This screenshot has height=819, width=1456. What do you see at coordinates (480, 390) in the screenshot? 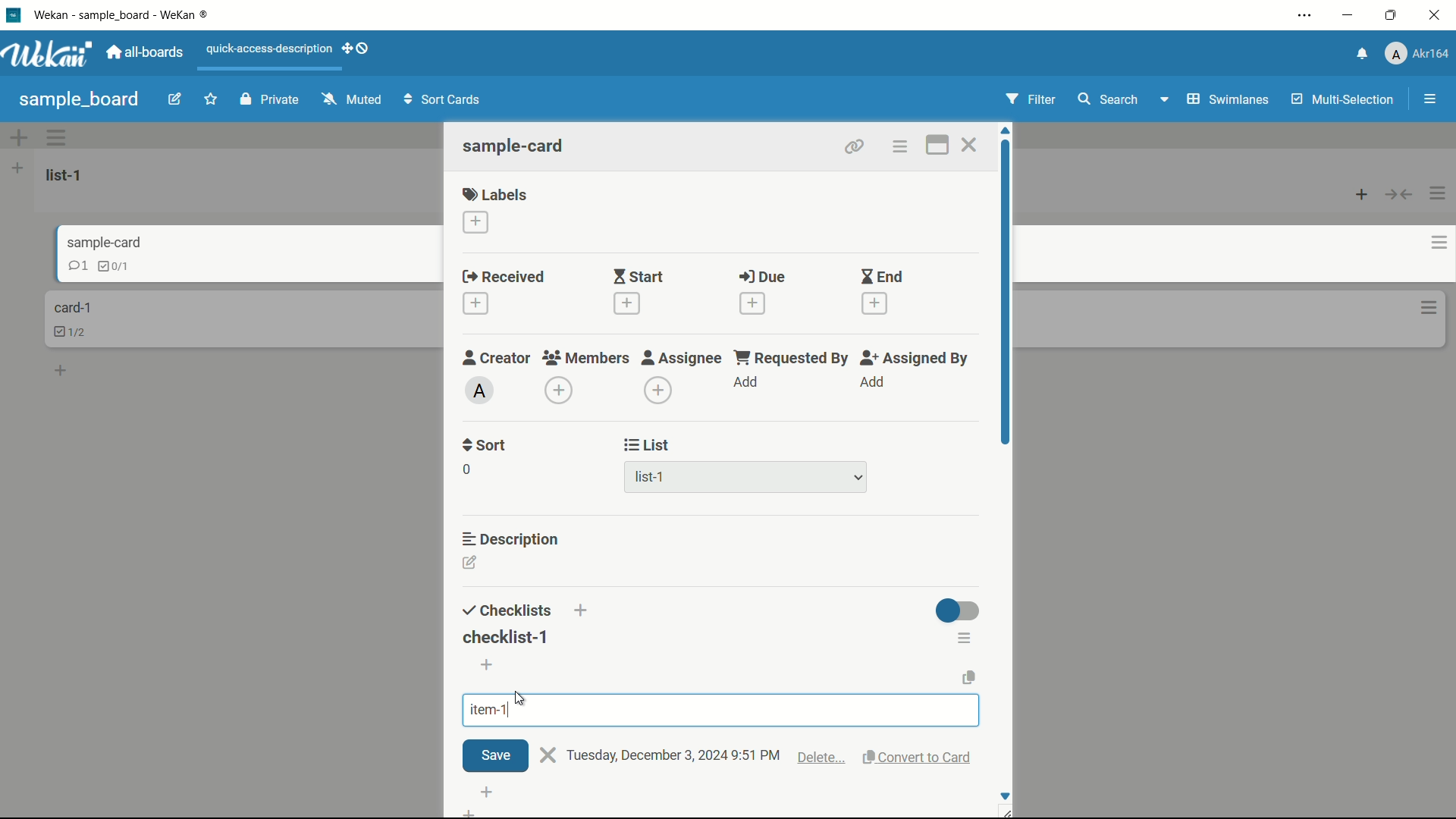
I see `admin` at bounding box center [480, 390].